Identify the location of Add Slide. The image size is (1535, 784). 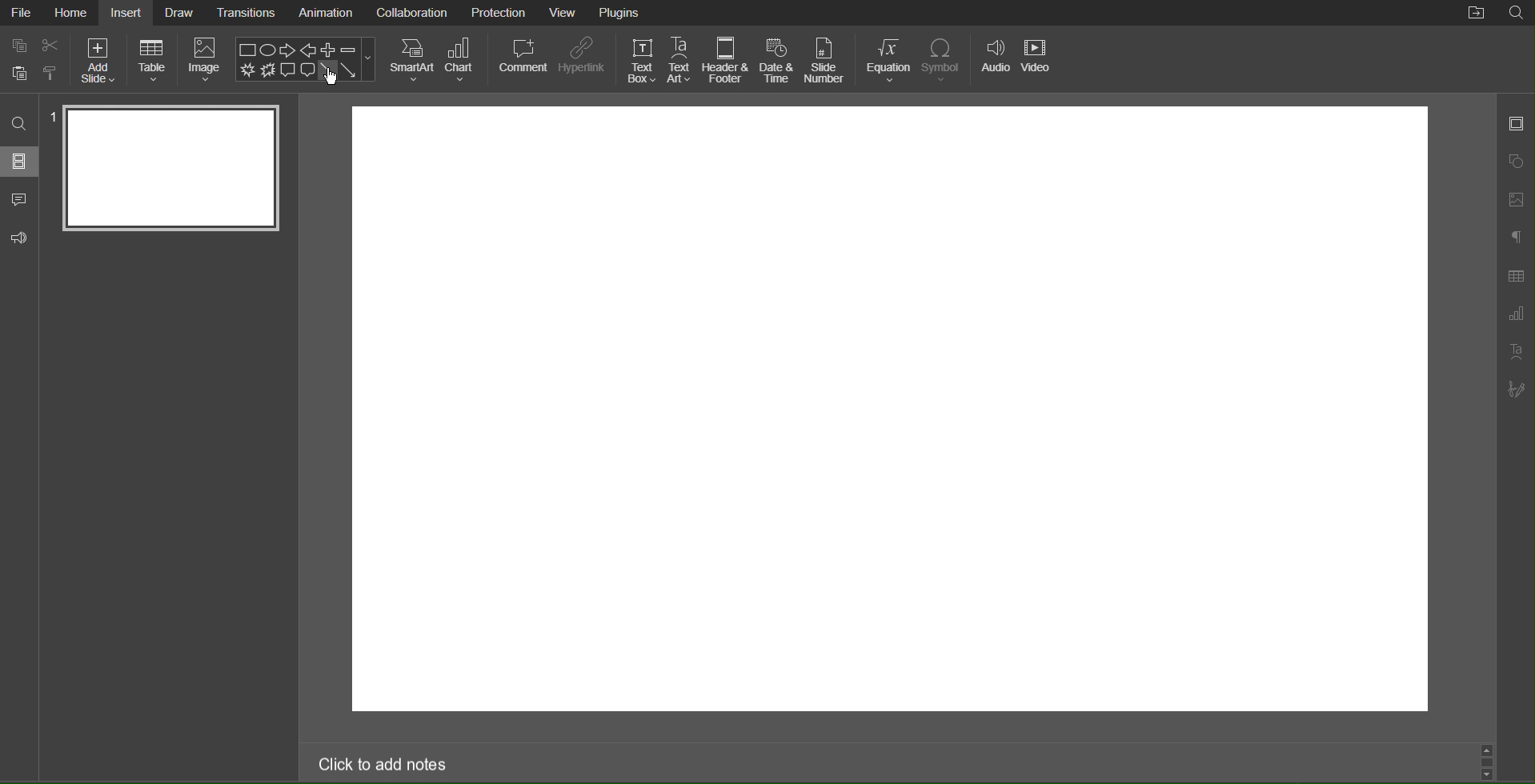
(98, 61).